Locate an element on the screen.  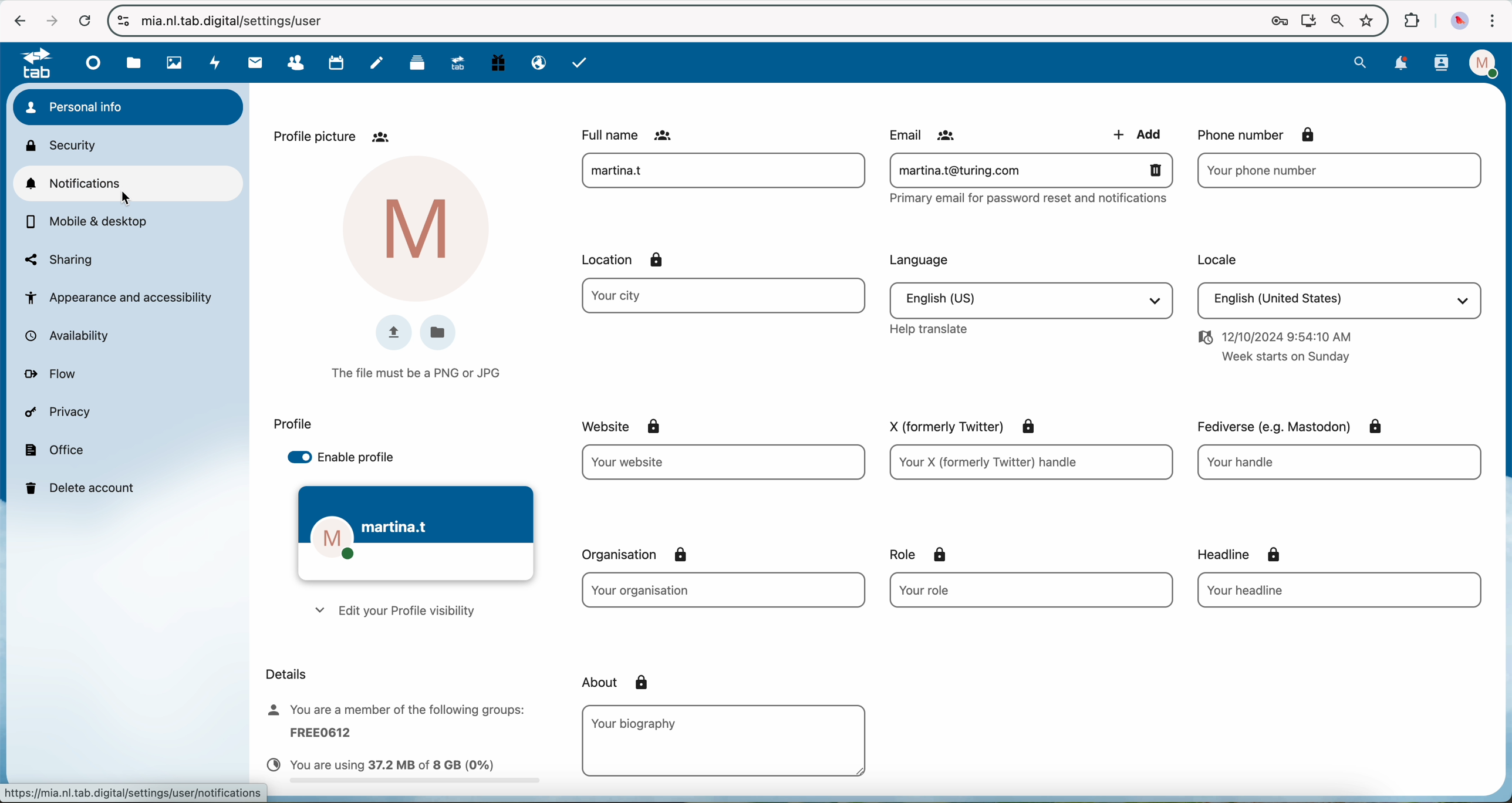
fediverse is located at coordinates (1345, 464).